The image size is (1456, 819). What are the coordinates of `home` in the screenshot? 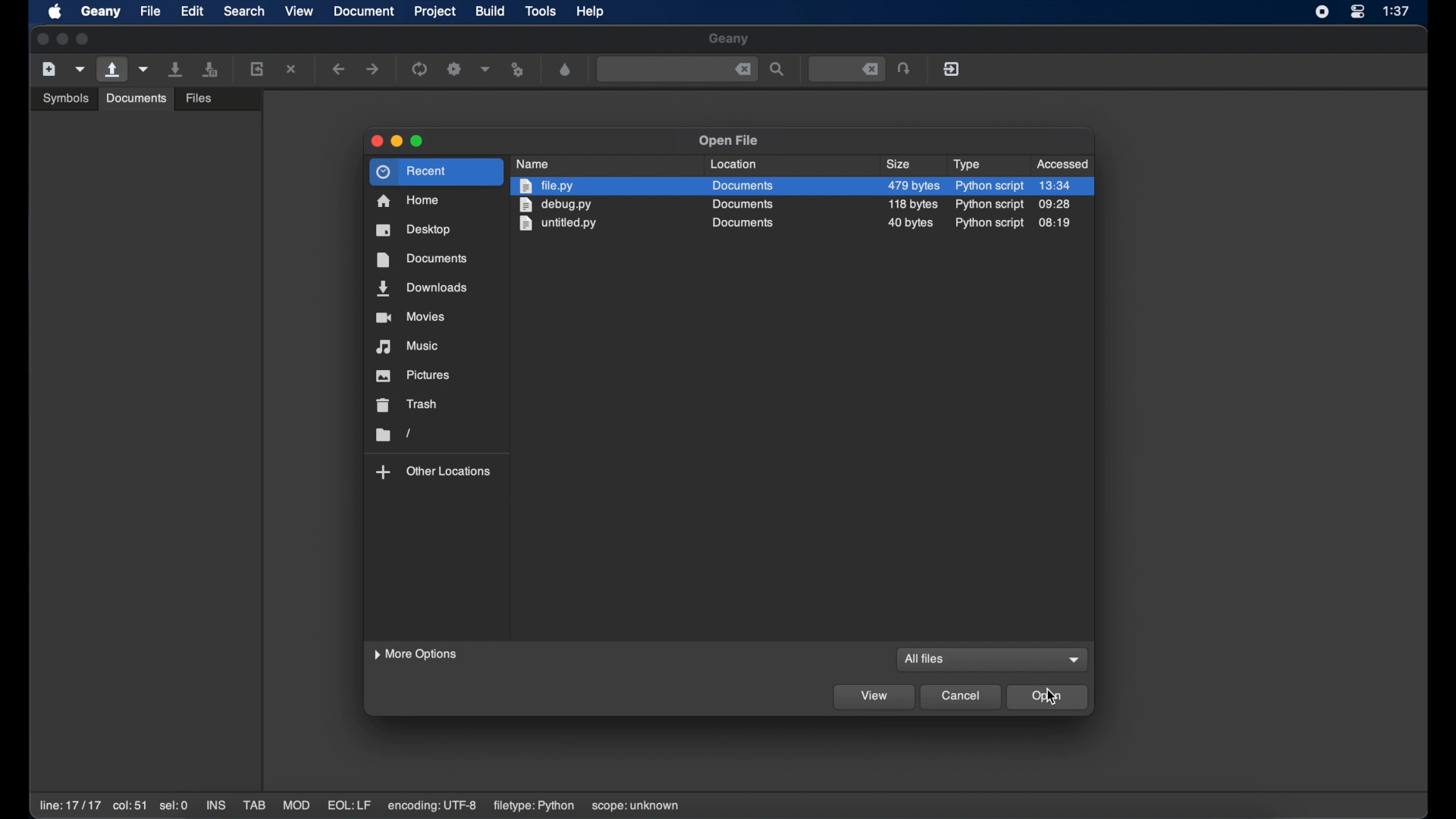 It's located at (409, 201).